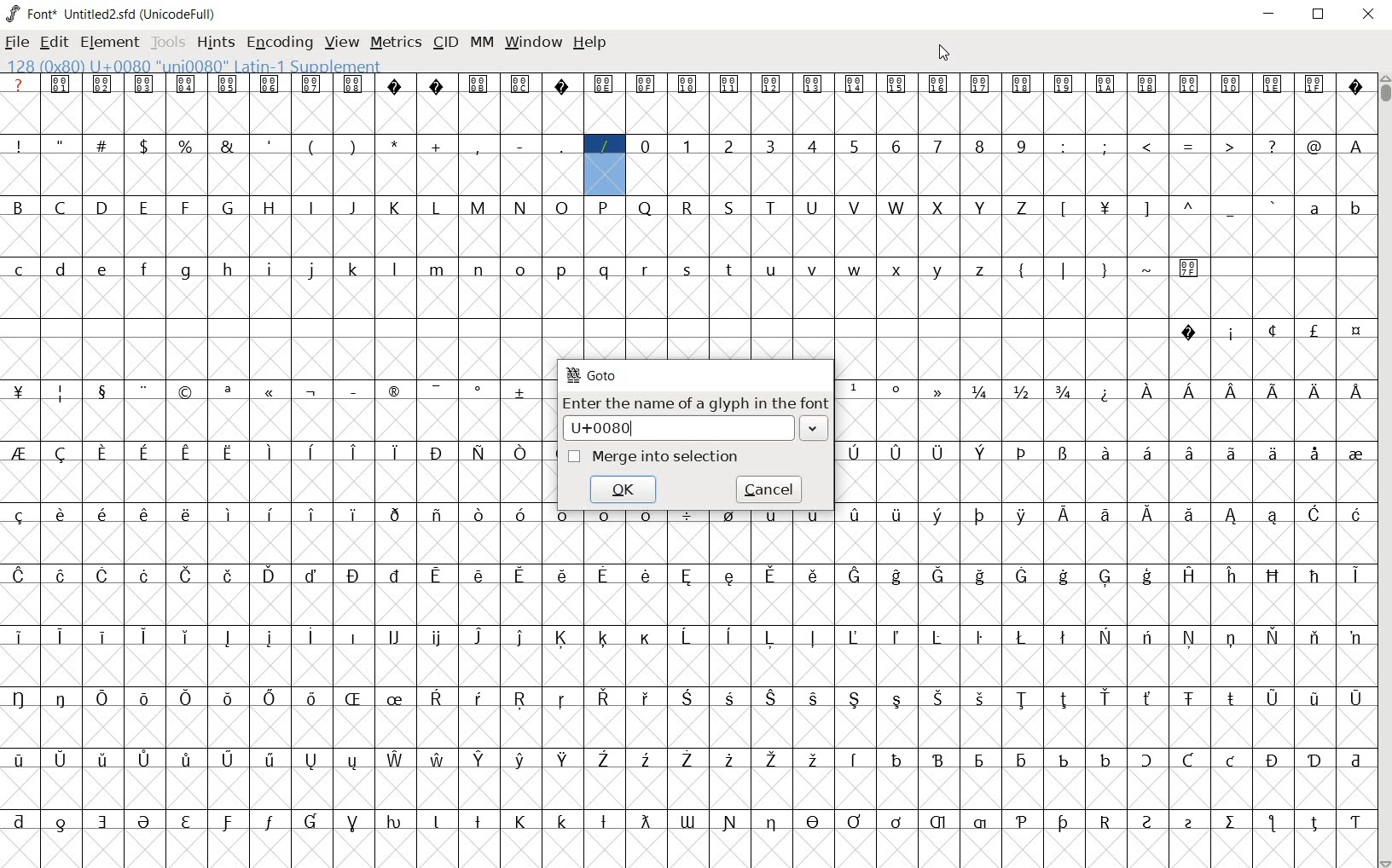 This screenshot has width=1392, height=868. Describe the element at coordinates (445, 43) in the screenshot. I see `CID` at that location.